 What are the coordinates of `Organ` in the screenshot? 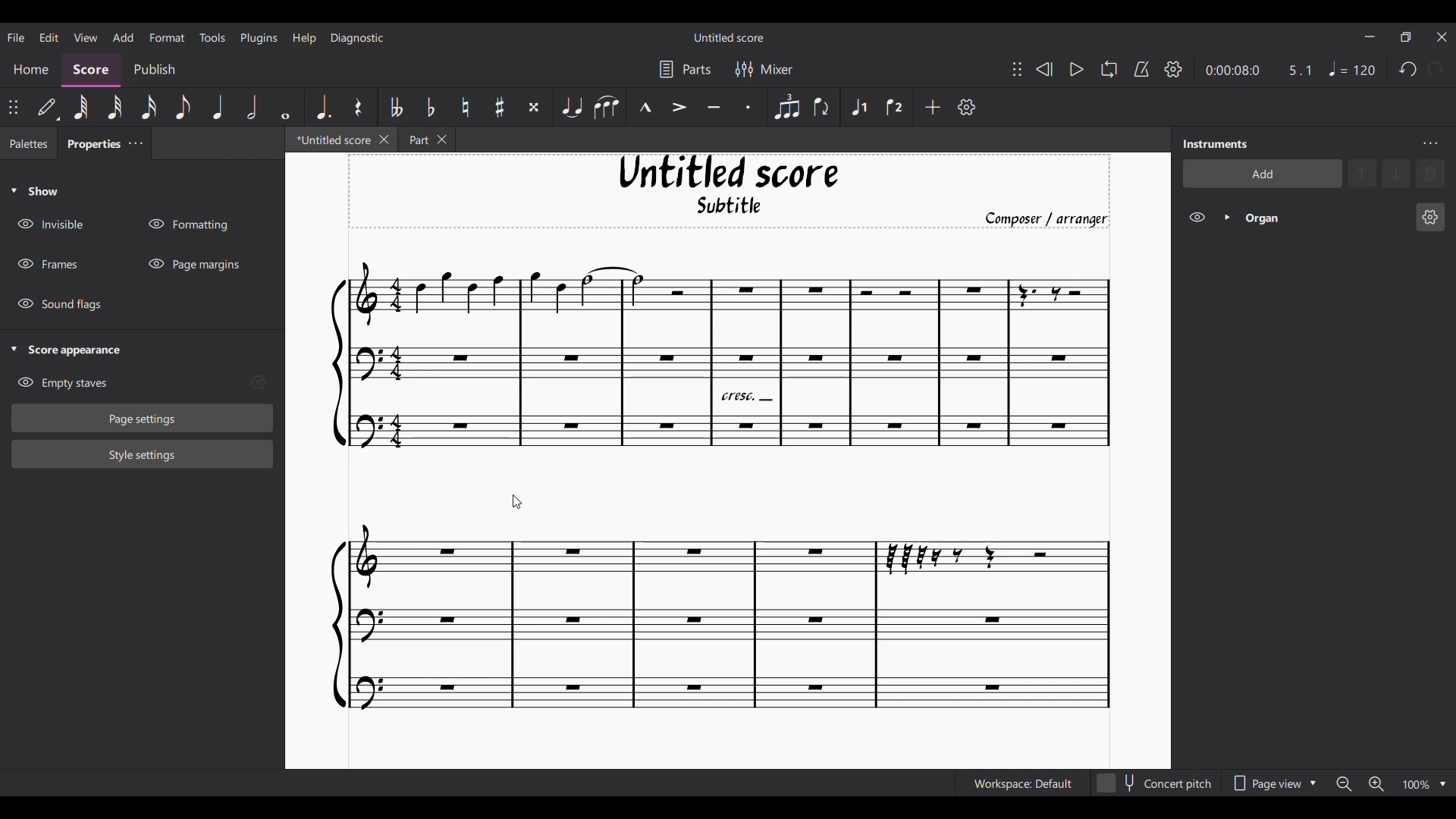 It's located at (1326, 218).